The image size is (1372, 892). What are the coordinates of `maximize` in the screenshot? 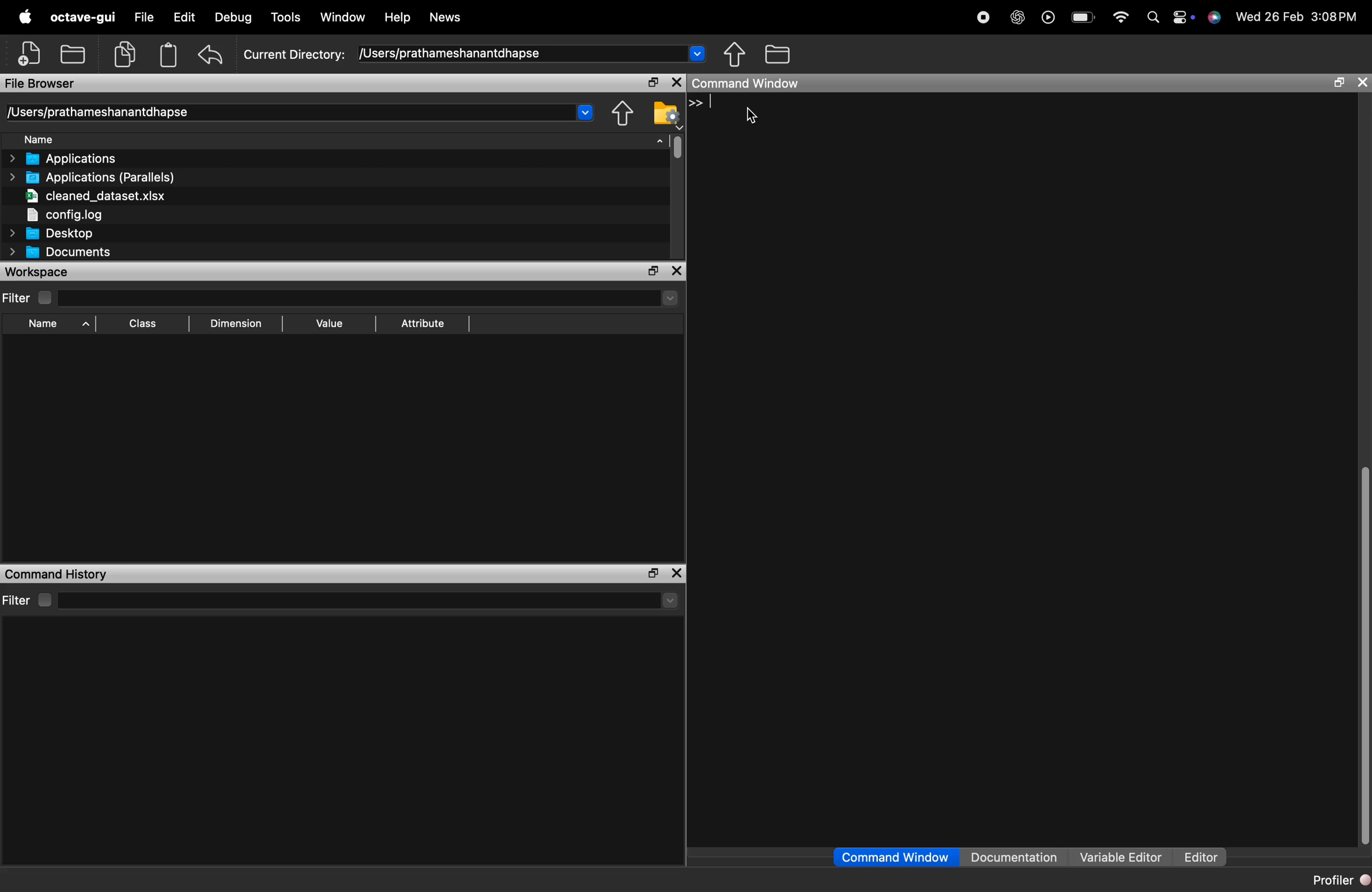 It's located at (1338, 83).